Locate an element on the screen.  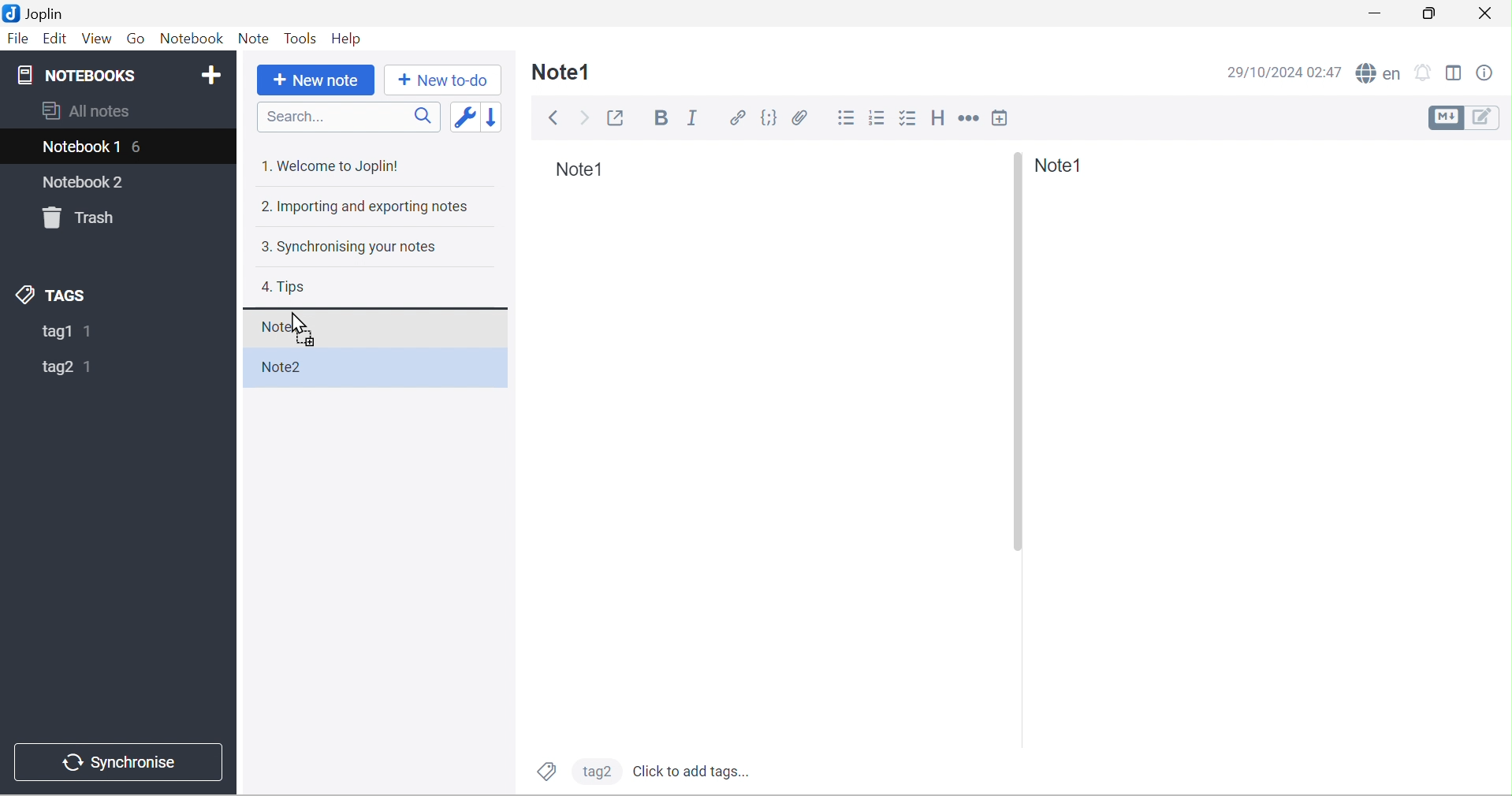
tag2 is located at coordinates (598, 774).